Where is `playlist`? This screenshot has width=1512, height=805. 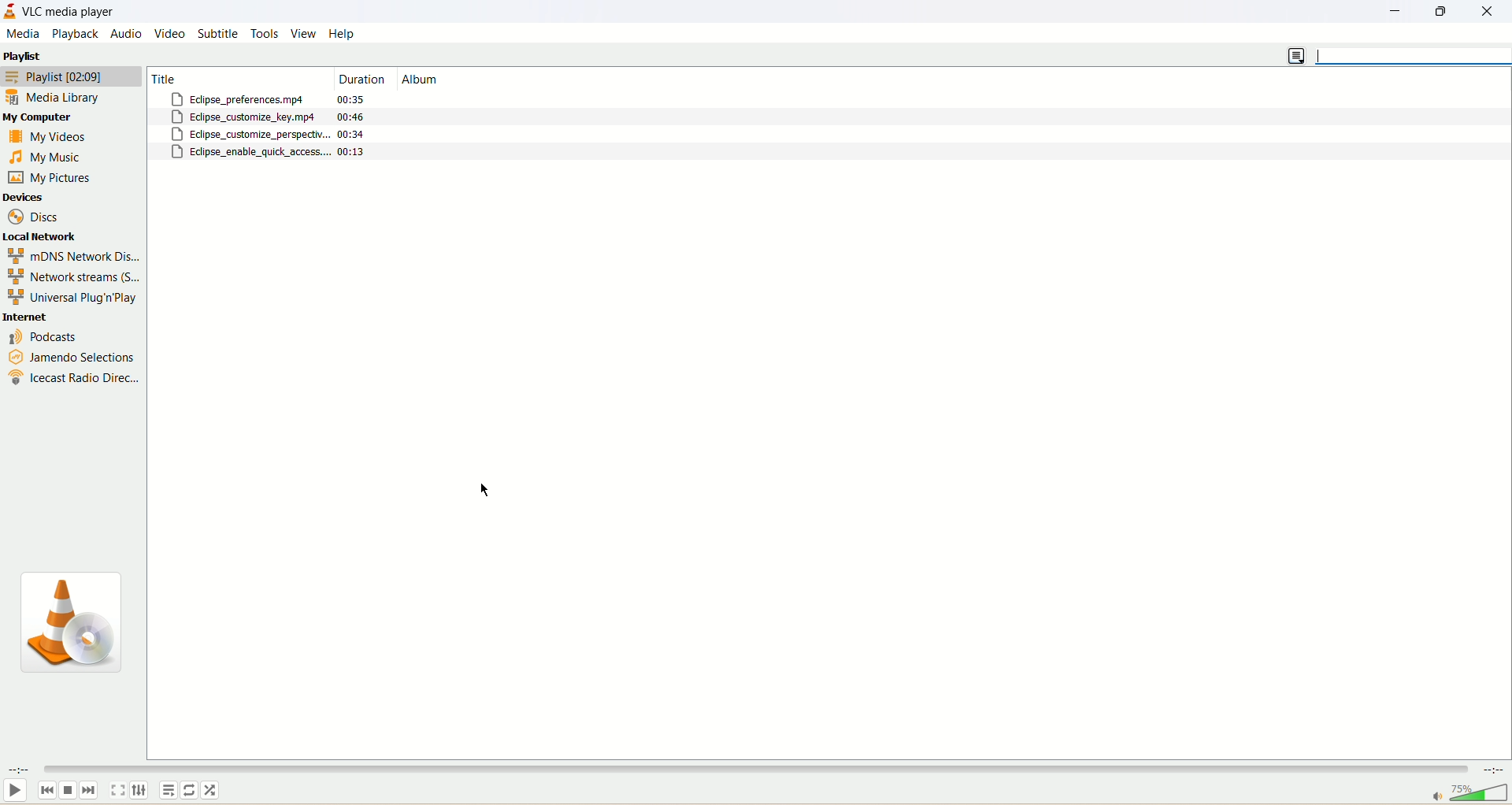
playlist is located at coordinates (28, 56).